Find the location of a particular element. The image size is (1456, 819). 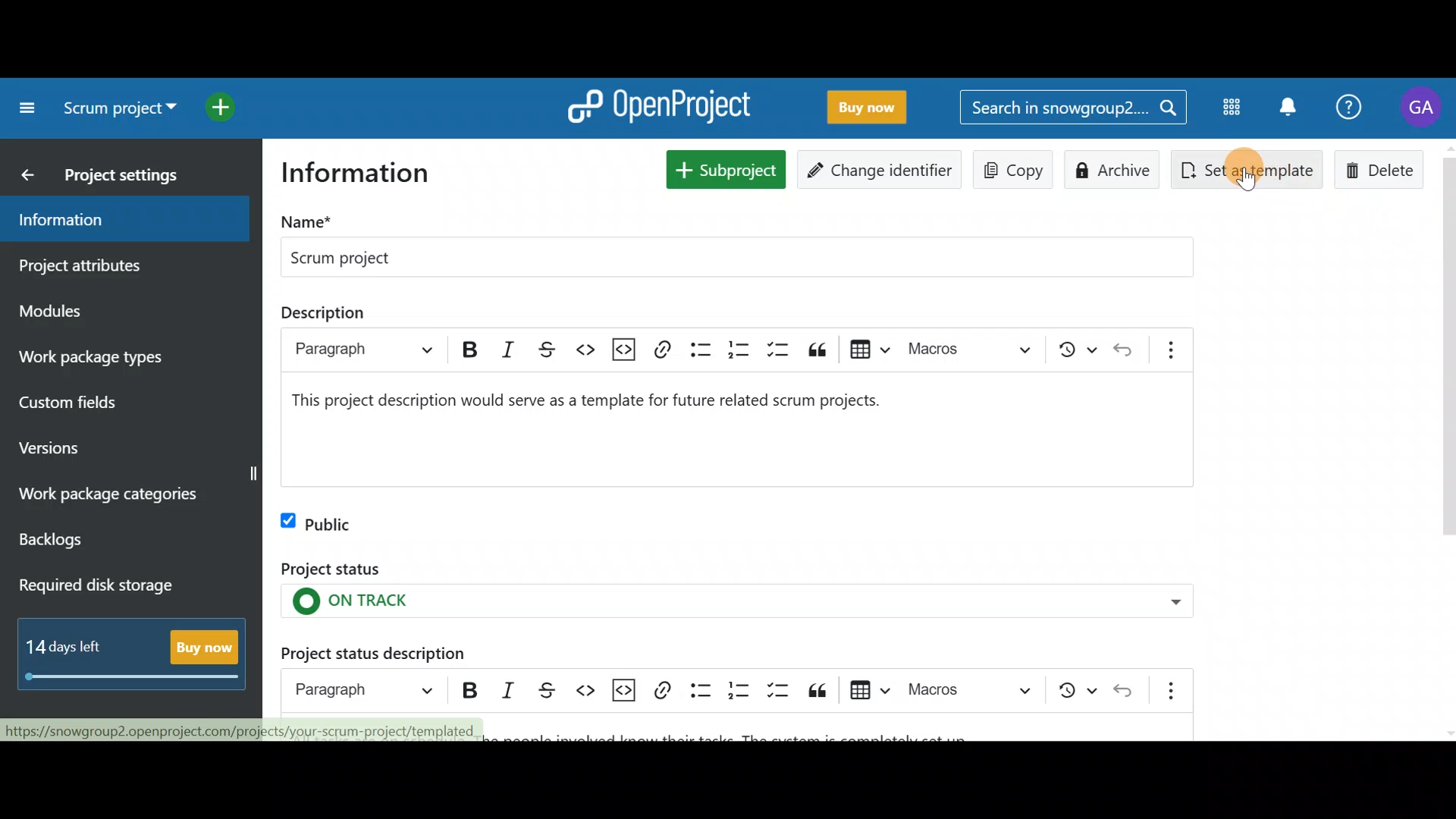

Choose macro is located at coordinates (966, 692).